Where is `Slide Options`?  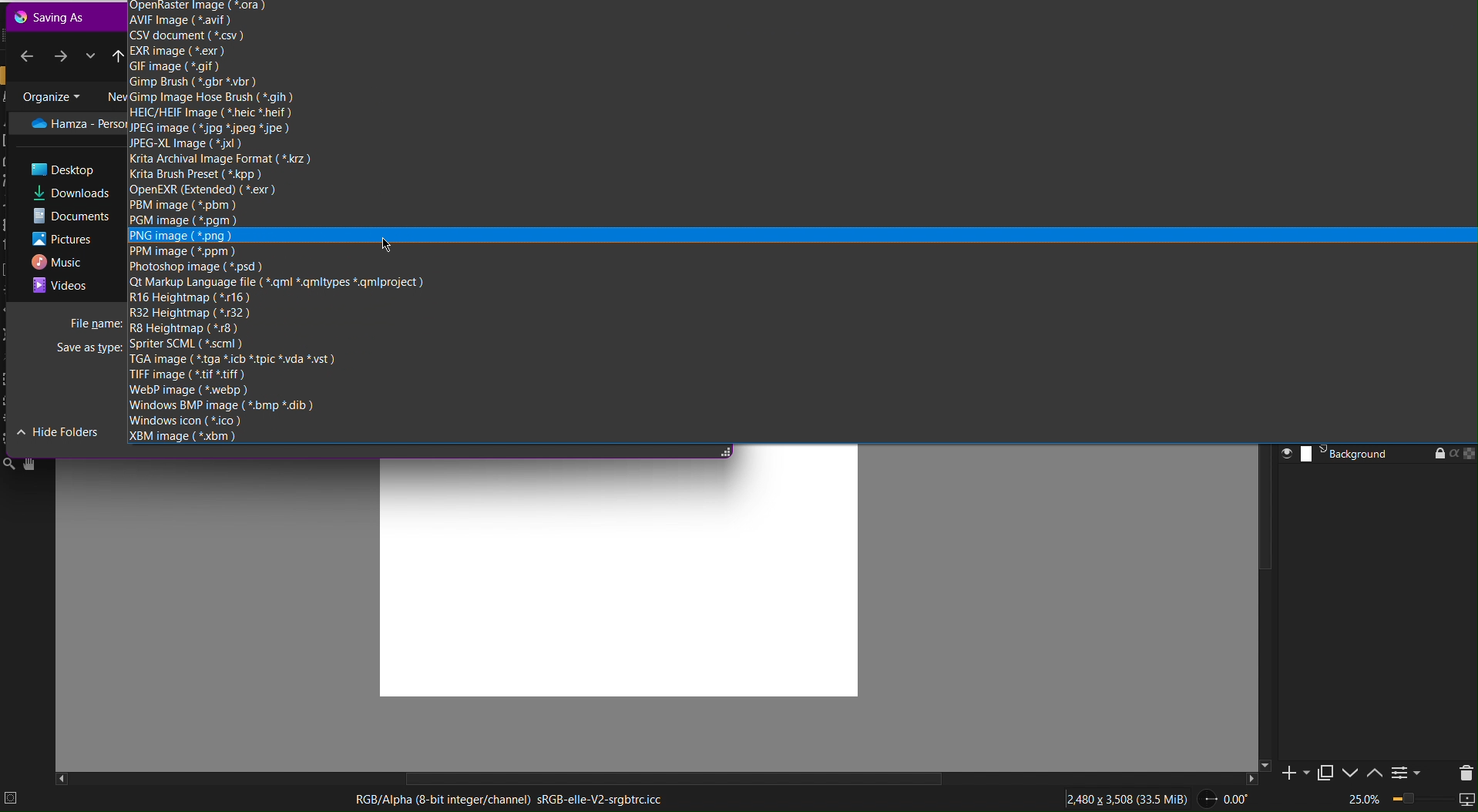
Slide Options is located at coordinates (1353, 773).